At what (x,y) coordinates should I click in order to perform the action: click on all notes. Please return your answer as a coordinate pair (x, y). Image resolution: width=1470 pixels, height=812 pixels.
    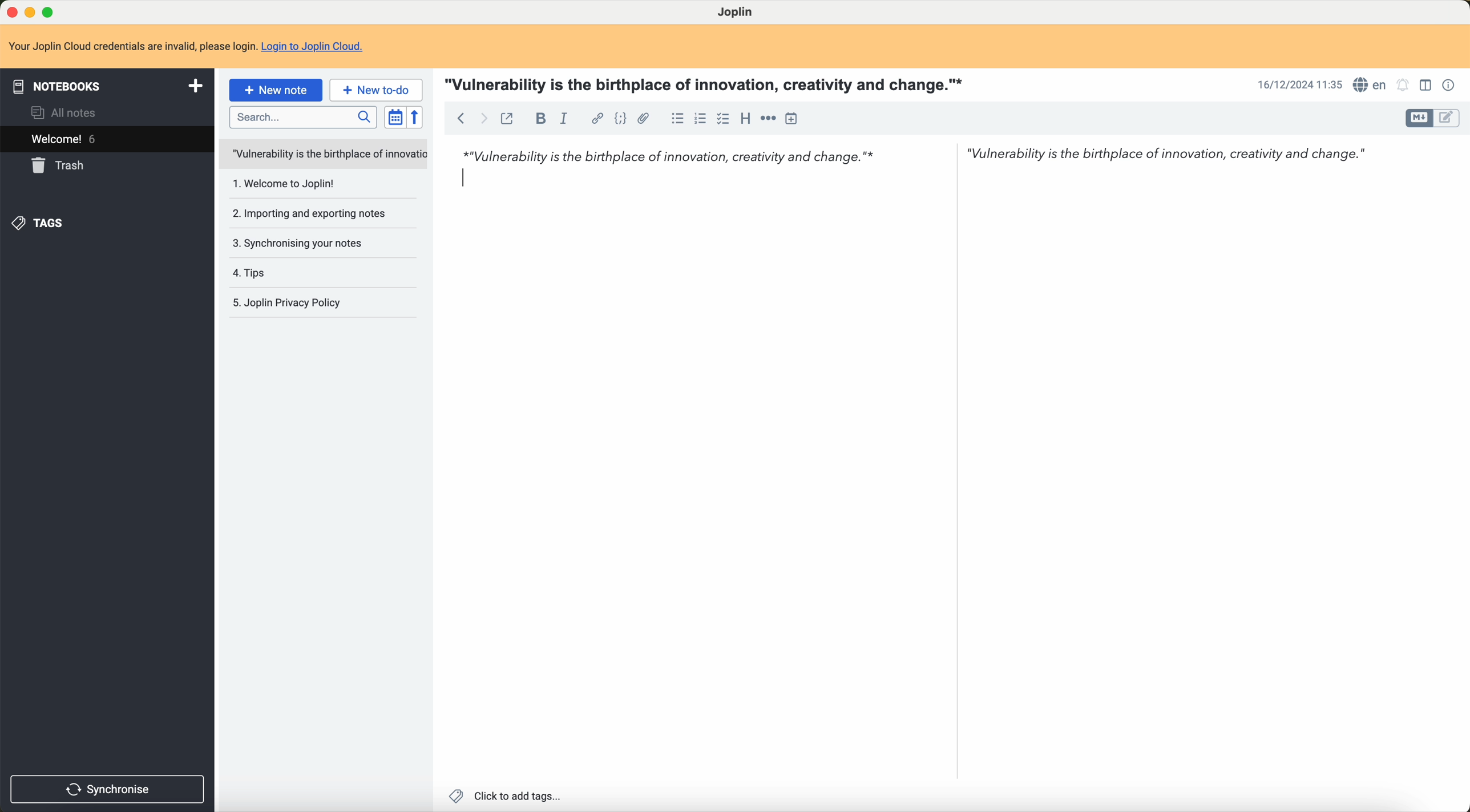
    Looking at the image, I should click on (64, 114).